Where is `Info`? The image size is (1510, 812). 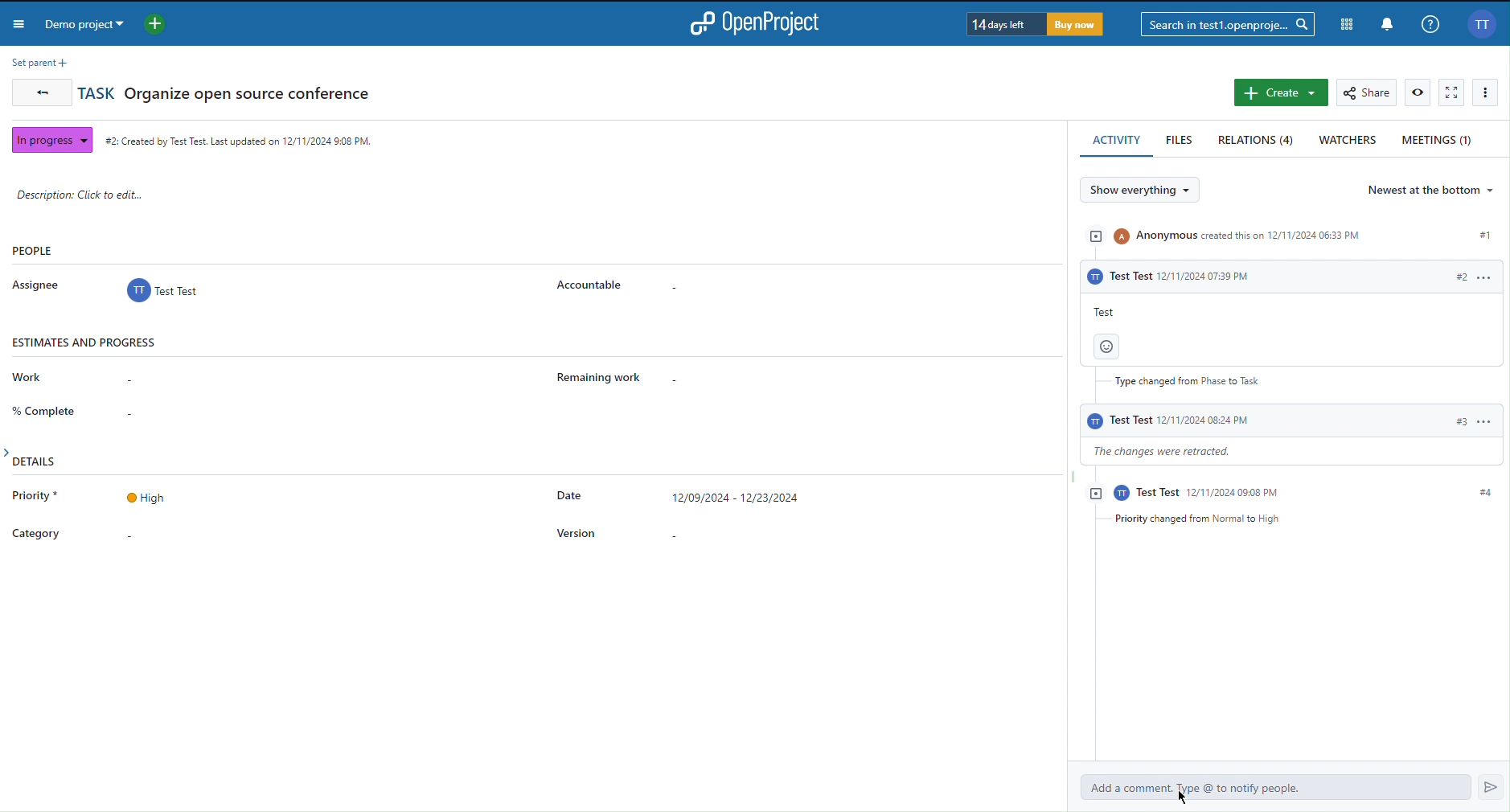 Info is located at coordinates (1430, 23).